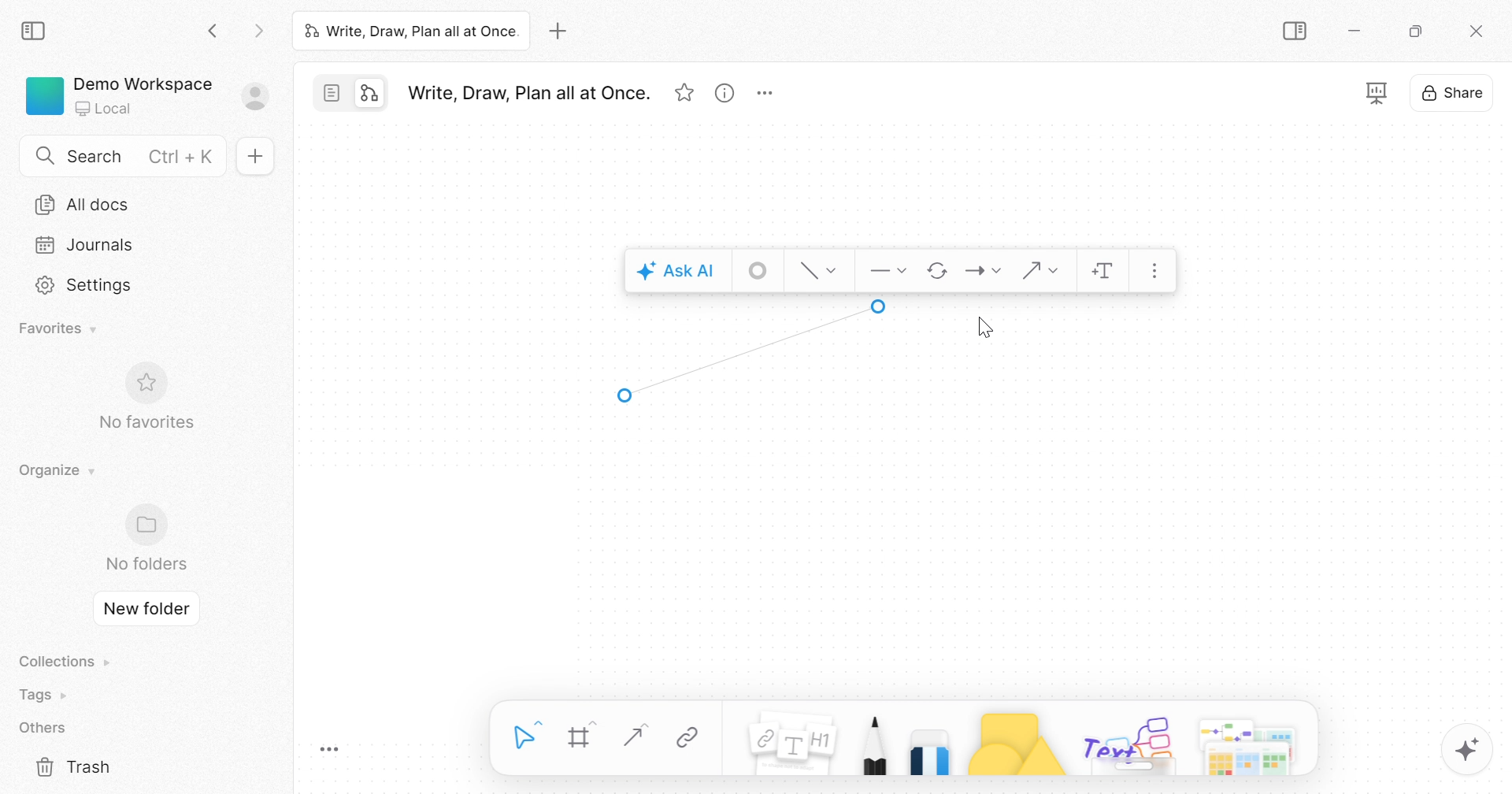 The image size is (1512, 794). Describe the element at coordinates (873, 743) in the screenshot. I see `Pen` at that location.